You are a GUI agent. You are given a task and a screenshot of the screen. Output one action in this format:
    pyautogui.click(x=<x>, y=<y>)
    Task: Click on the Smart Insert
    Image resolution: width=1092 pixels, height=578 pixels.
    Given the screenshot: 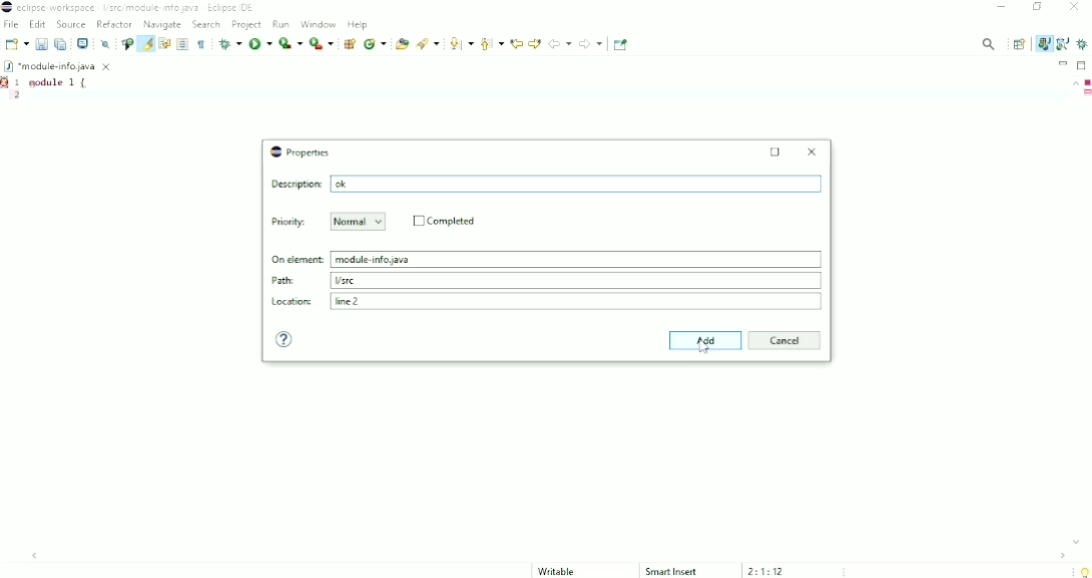 What is the action you would take?
    pyautogui.click(x=672, y=571)
    